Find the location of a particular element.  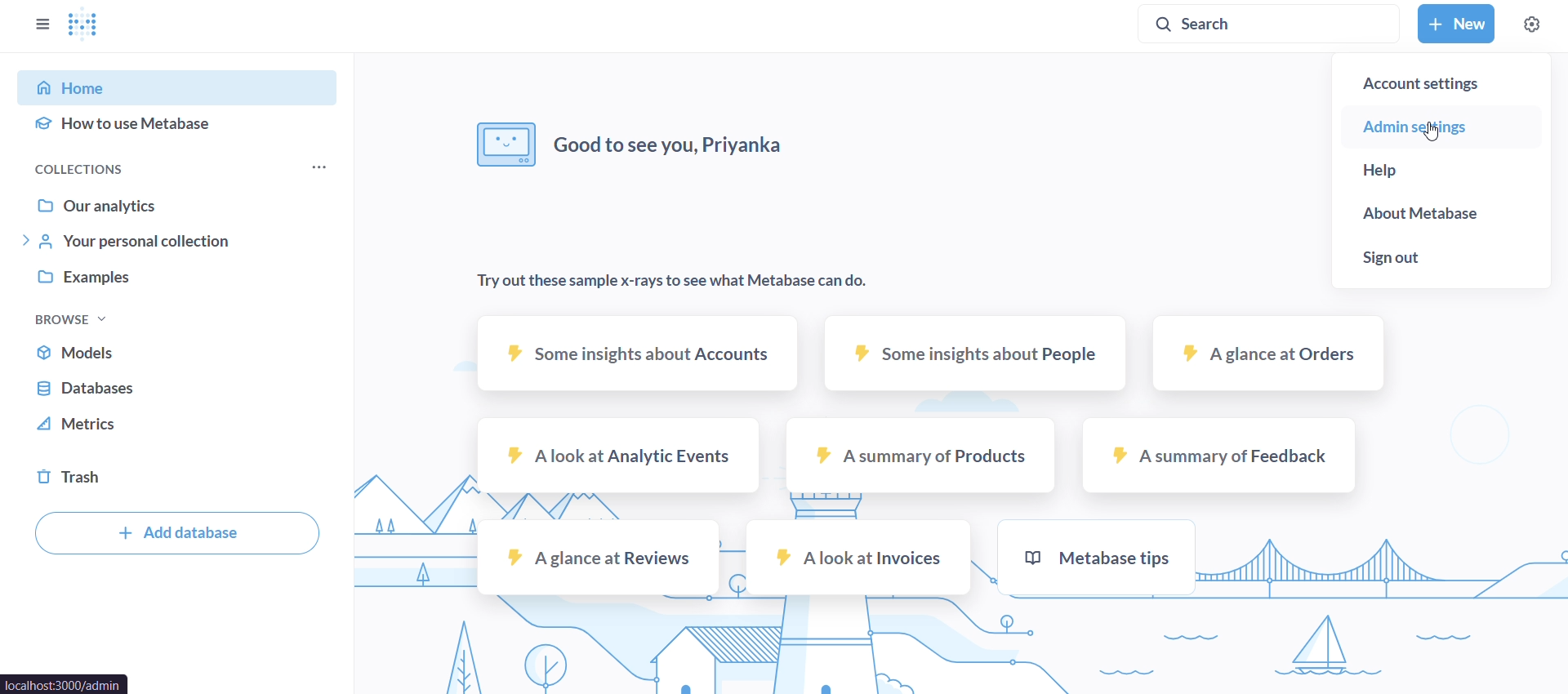

some insights about accounts is located at coordinates (632, 353).